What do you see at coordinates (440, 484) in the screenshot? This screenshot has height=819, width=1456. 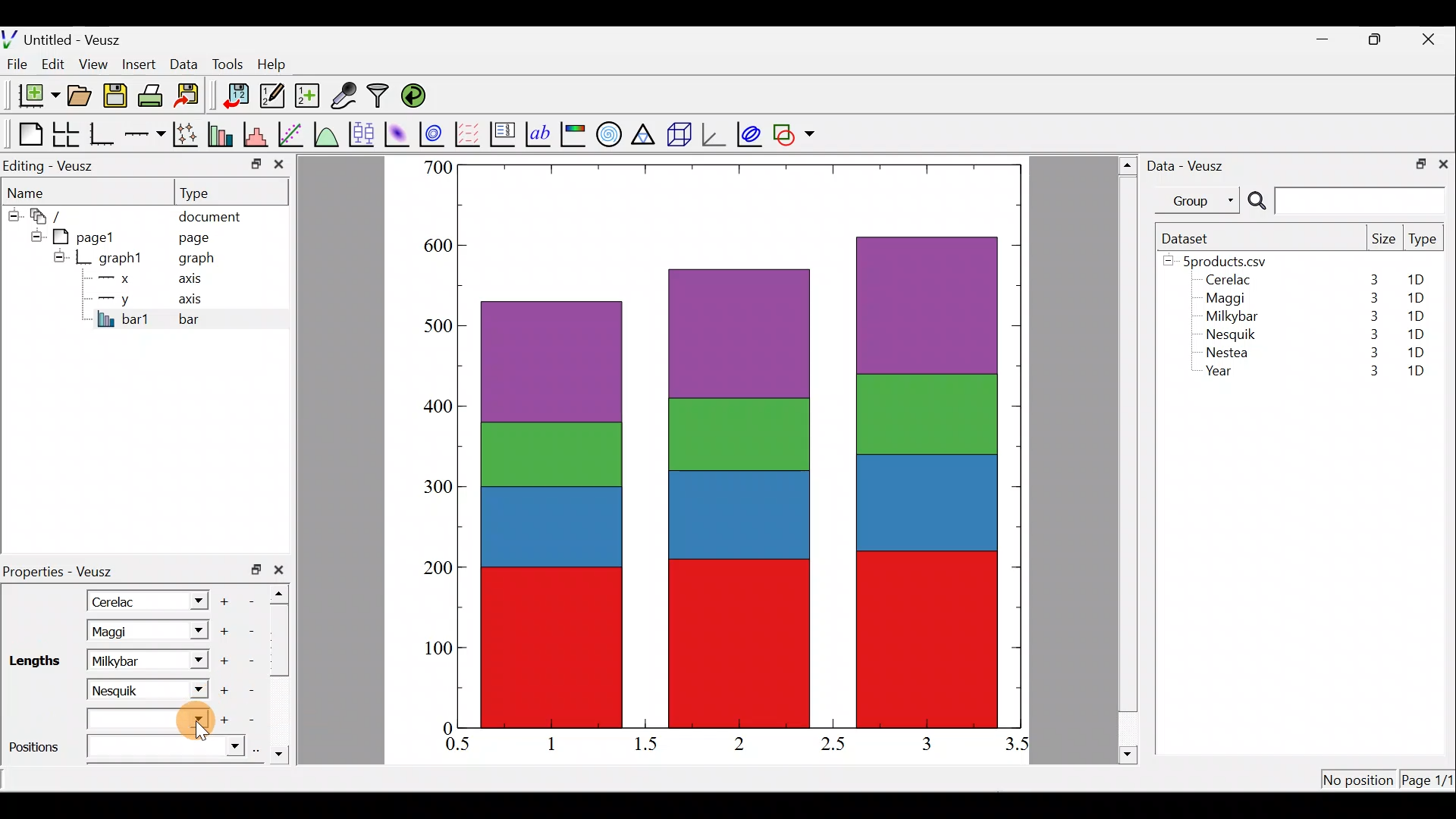 I see `300` at bounding box center [440, 484].